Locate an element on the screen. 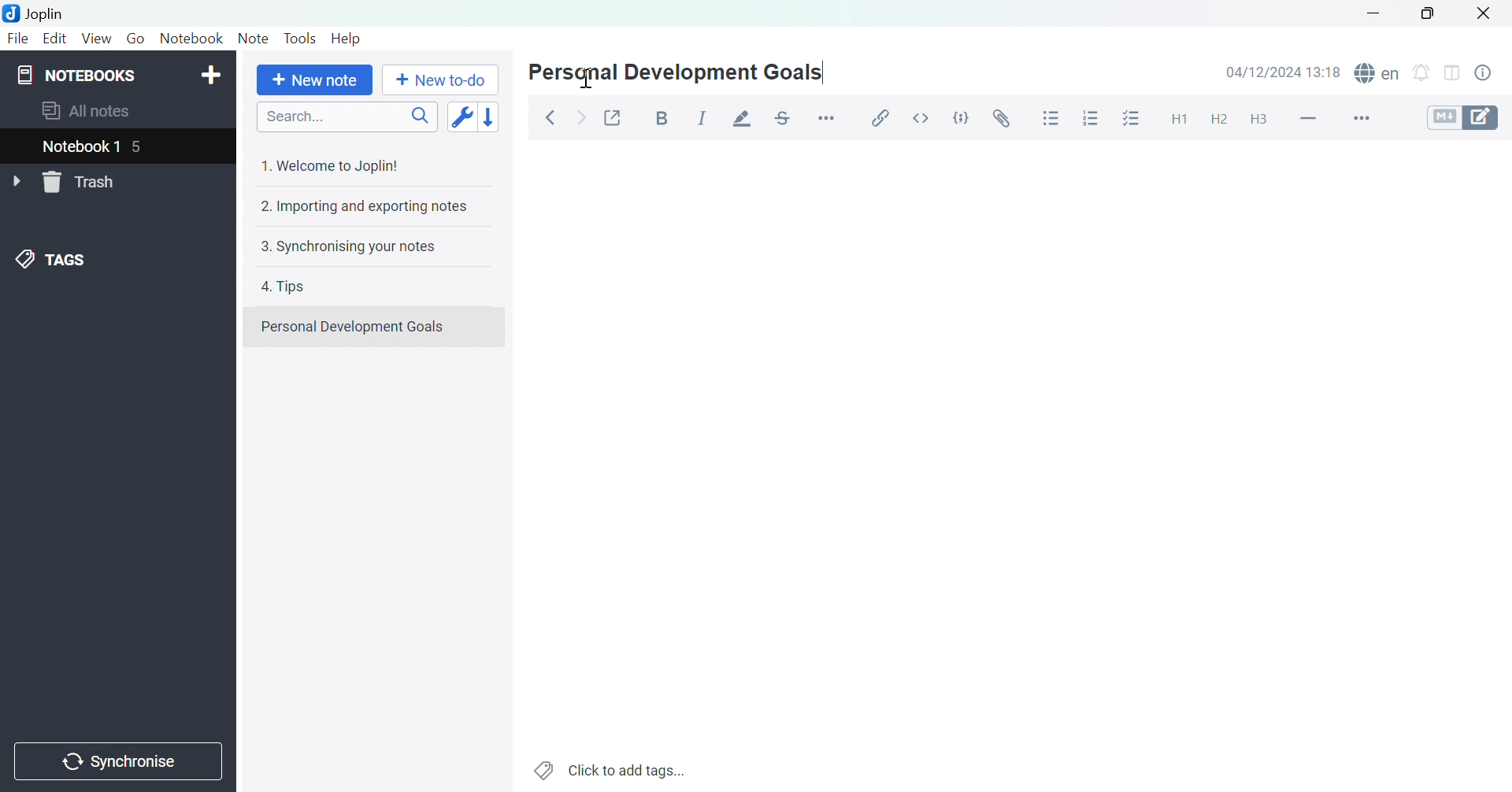 The height and width of the screenshot is (792, 1512). 3. Synchronising your notes is located at coordinates (353, 246).